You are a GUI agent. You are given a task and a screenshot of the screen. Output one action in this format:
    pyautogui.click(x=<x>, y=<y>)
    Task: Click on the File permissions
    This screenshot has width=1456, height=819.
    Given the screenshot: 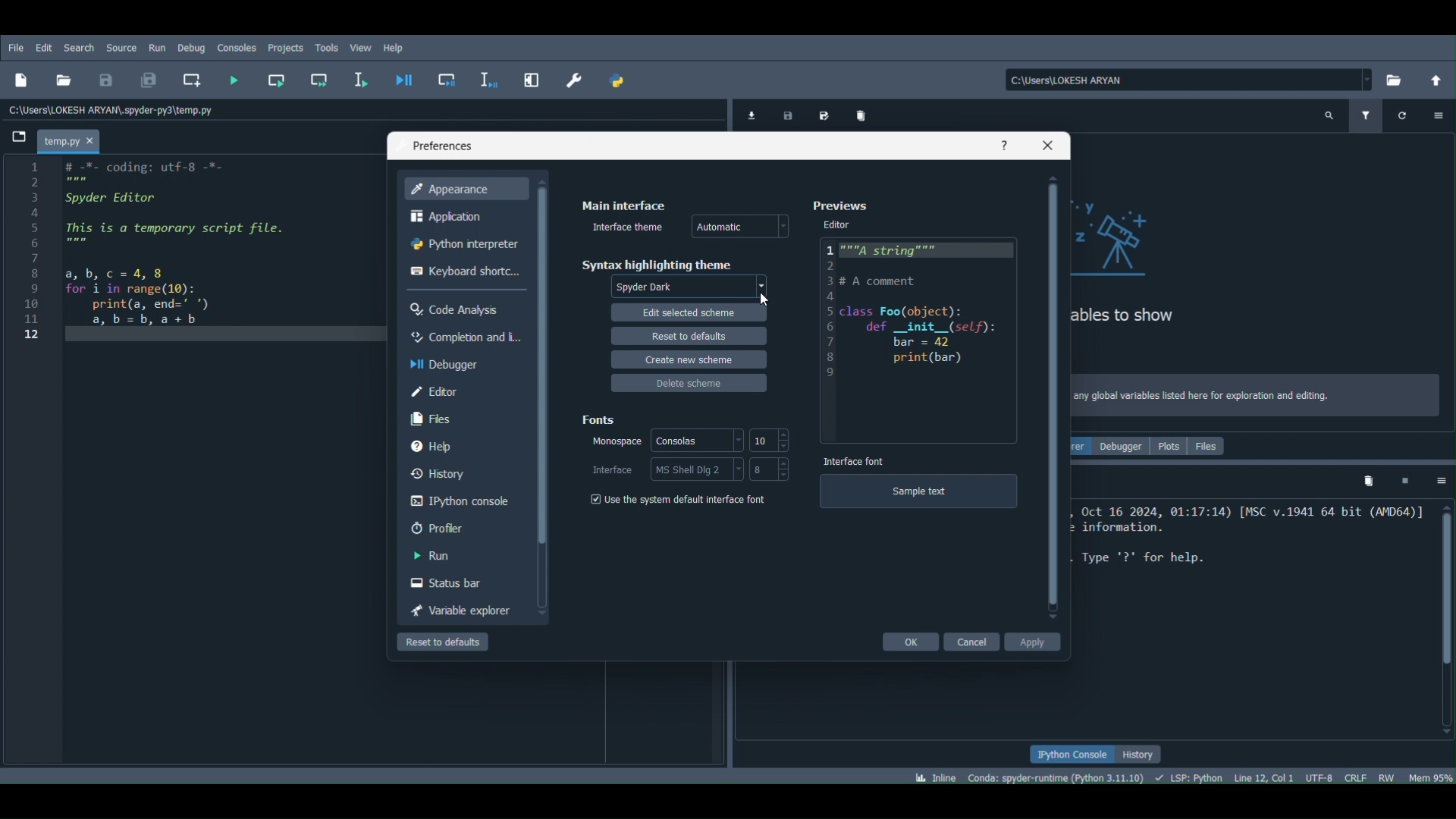 What is the action you would take?
    pyautogui.click(x=1388, y=777)
    